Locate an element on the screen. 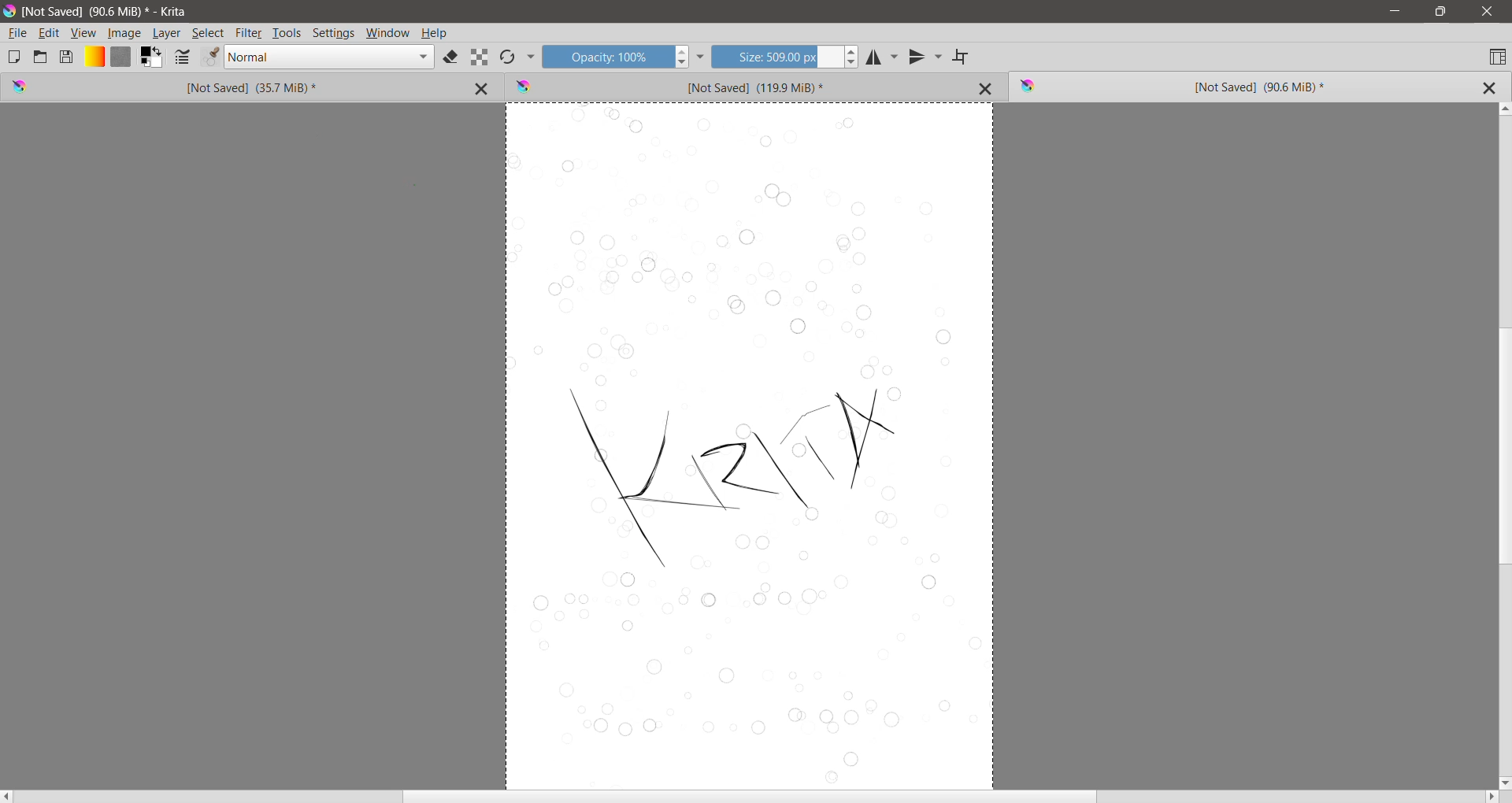  Minimize is located at coordinates (1395, 11).